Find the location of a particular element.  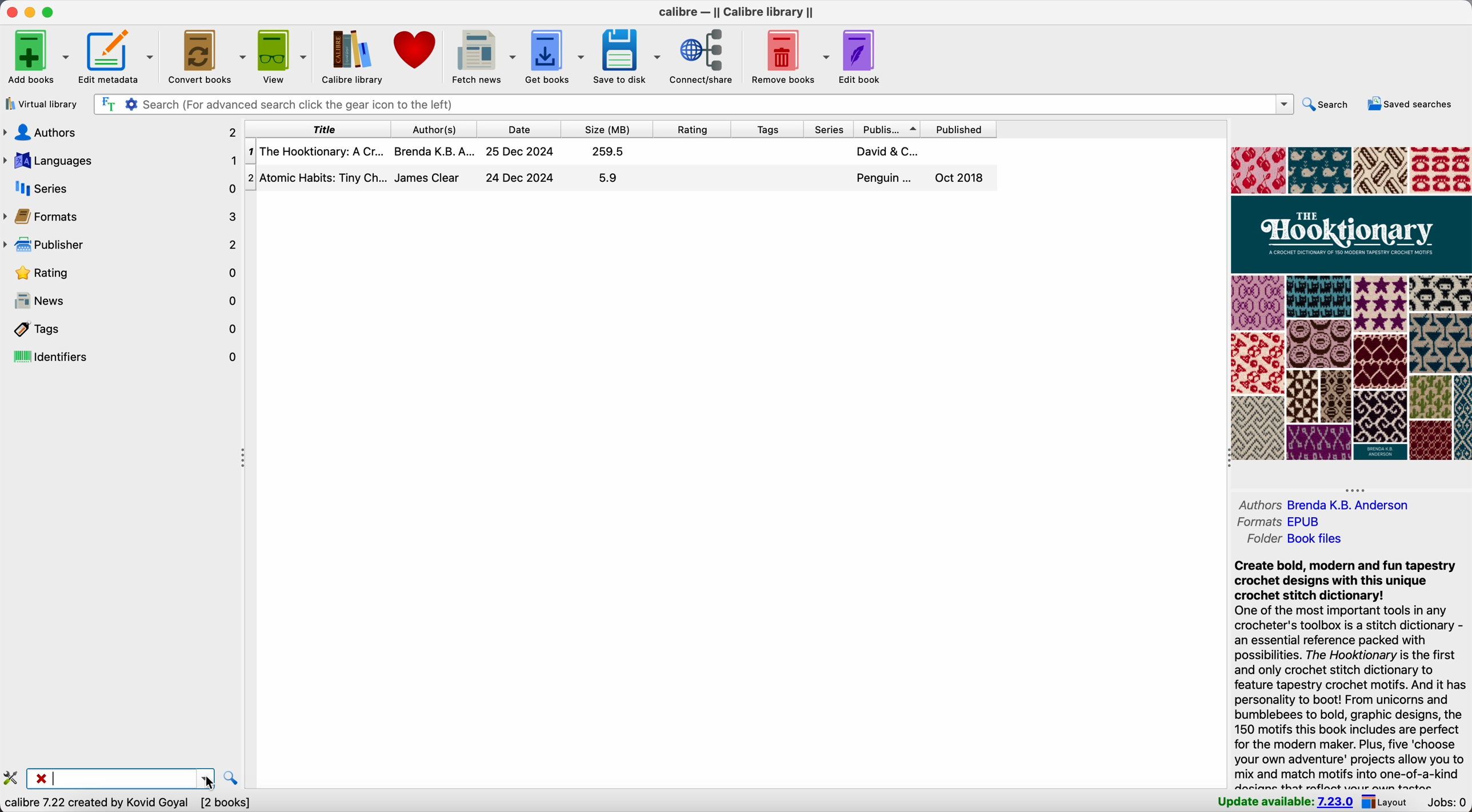

date is located at coordinates (522, 129).